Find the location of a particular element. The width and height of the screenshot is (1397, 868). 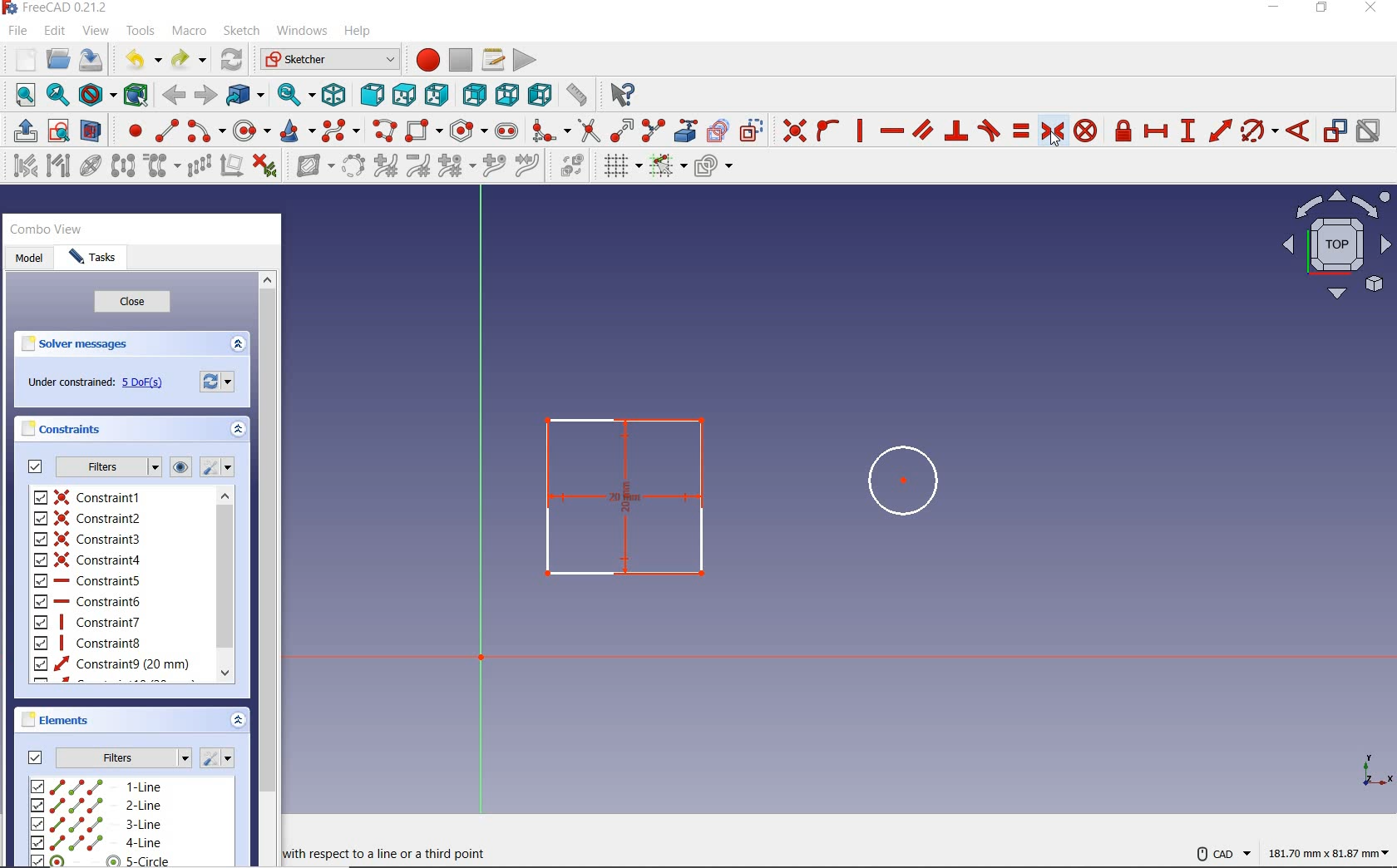

remove axes alignment is located at coordinates (232, 165).